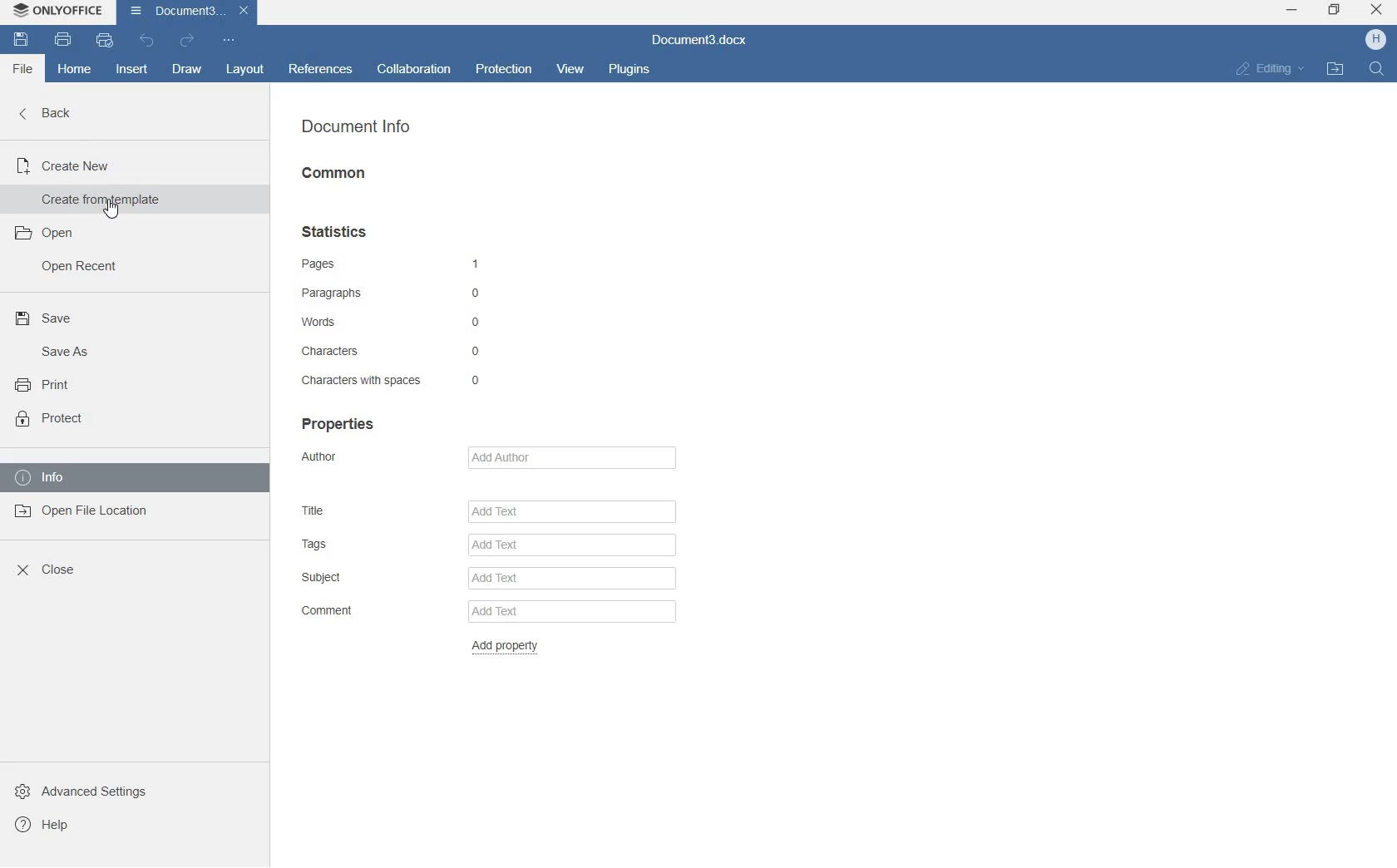 This screenshot has height=868, width=1397. What do you see at coordinates (322, 71) in the screenshot?
I see `references` at bounding box center [322, 71].